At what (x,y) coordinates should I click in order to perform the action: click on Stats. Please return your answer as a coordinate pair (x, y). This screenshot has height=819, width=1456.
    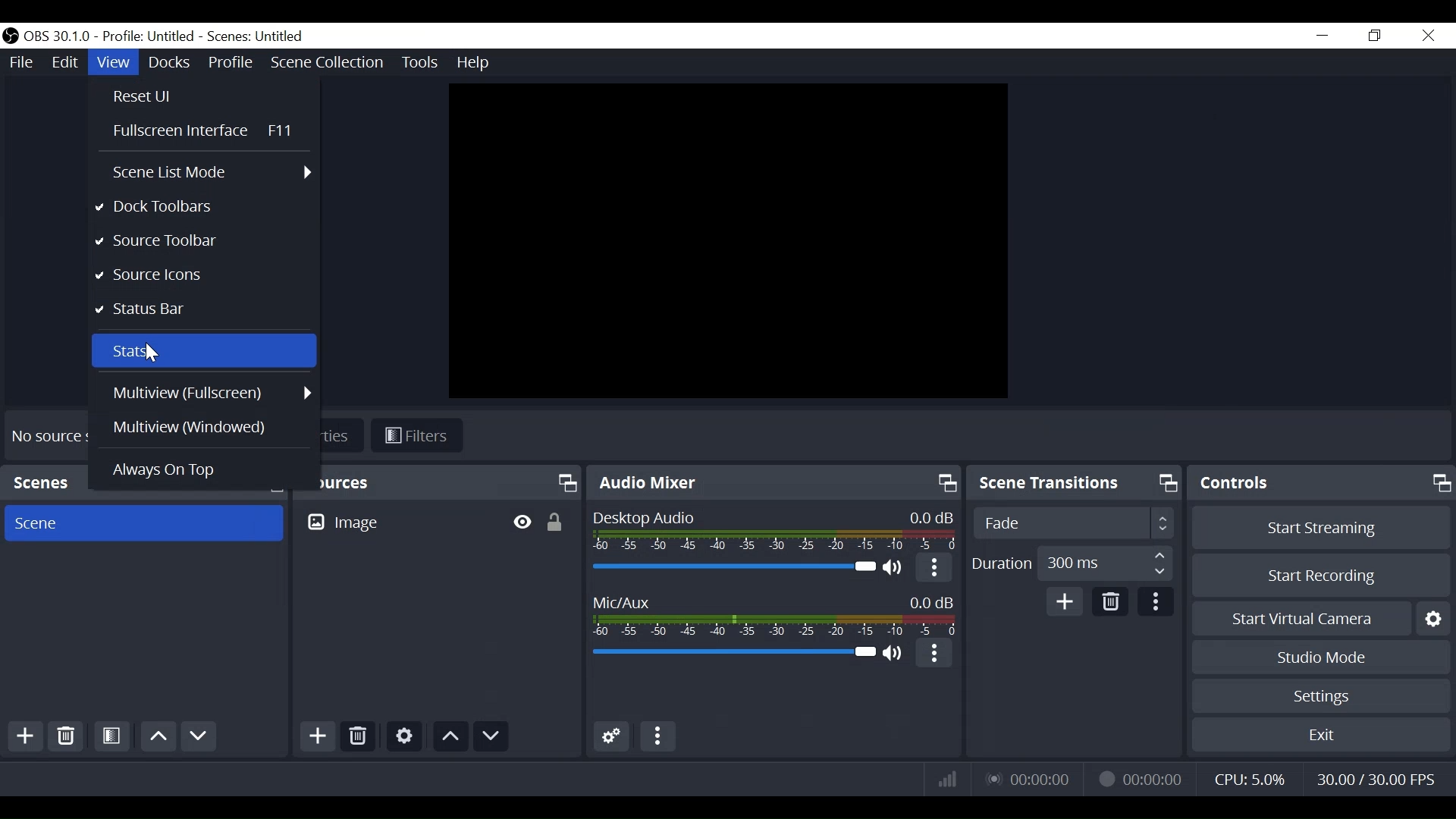
    Looking at the image, I should click on (203, 350).